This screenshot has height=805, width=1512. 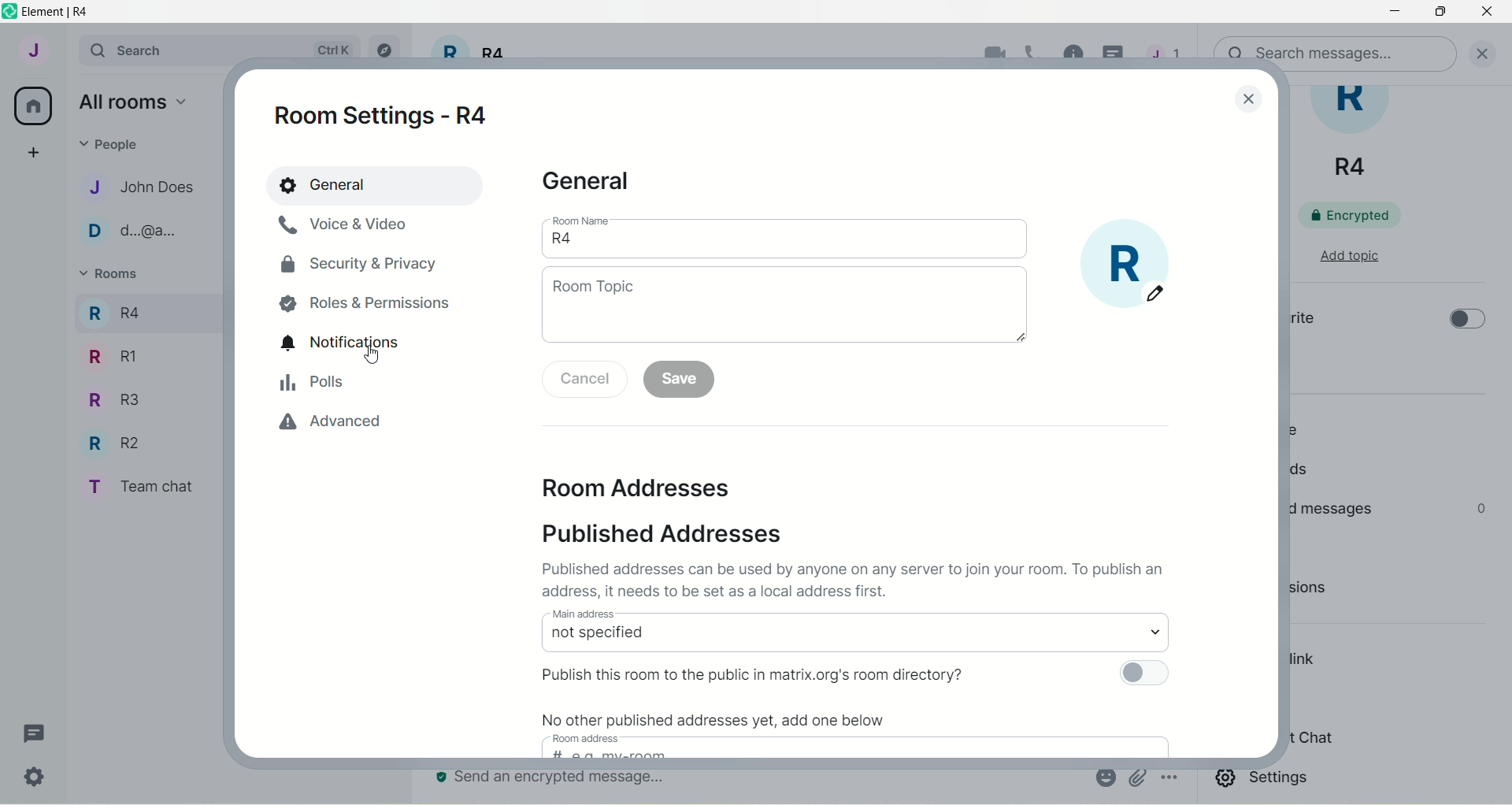 What do you see at coordinates (347, 224) in the screenshot?
I see `voice and video` at bounding box center [347, 224].